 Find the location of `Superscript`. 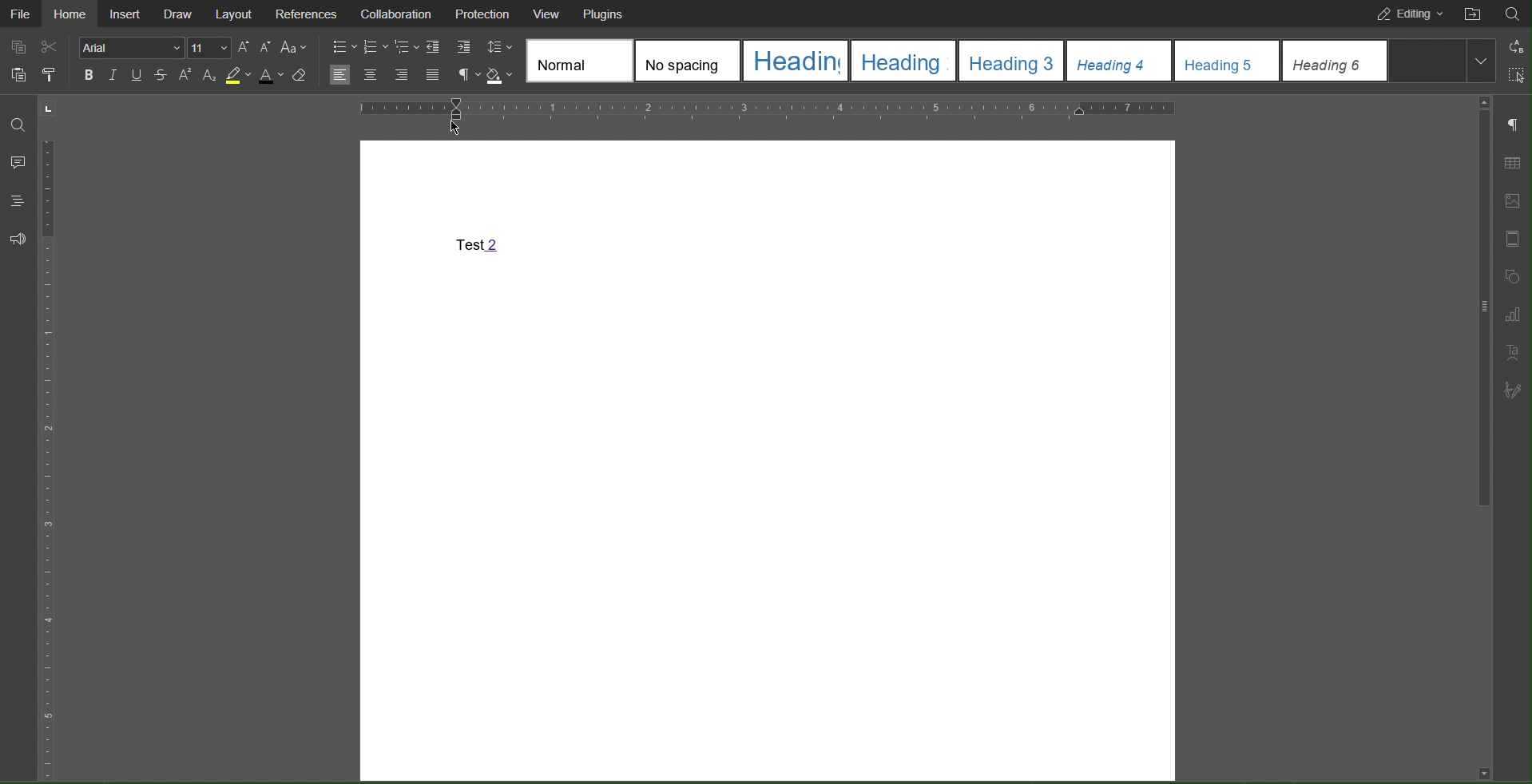

Superscript is located at coordinates (183, 74).